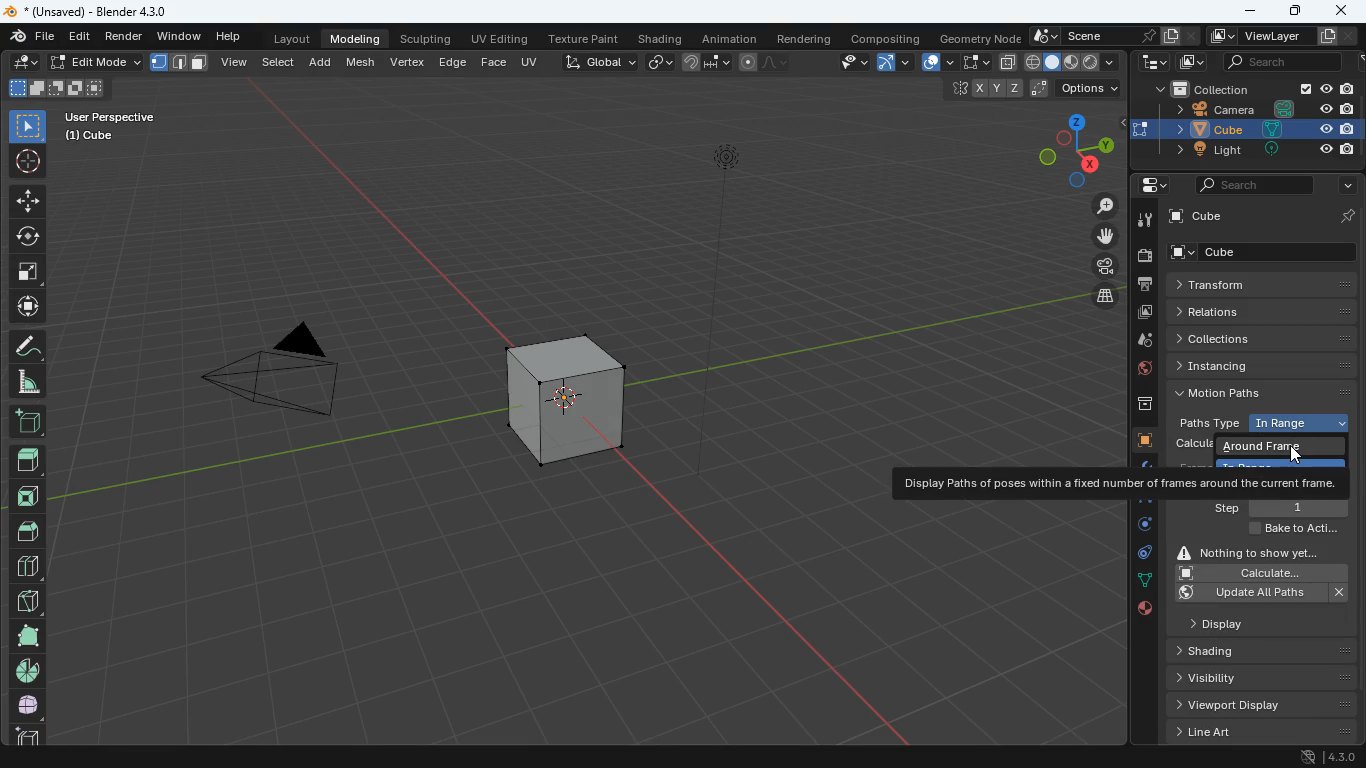 The image size is (1366, 768). Describe the element at coordinates (1142, 313) in the screenshot. I see `image` at that location.